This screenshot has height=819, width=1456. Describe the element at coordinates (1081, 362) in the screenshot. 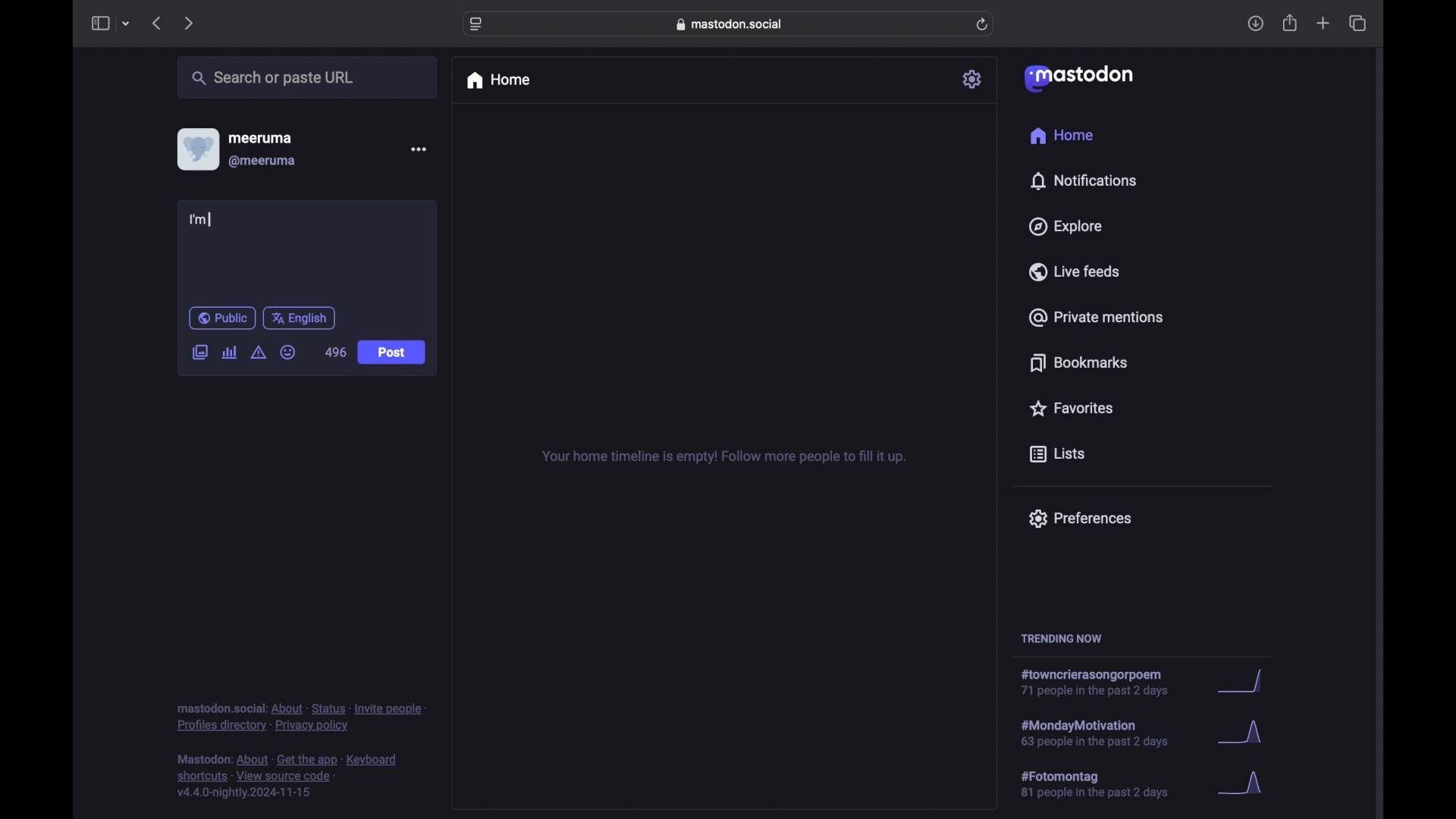

I see `bookmarks` at that location.